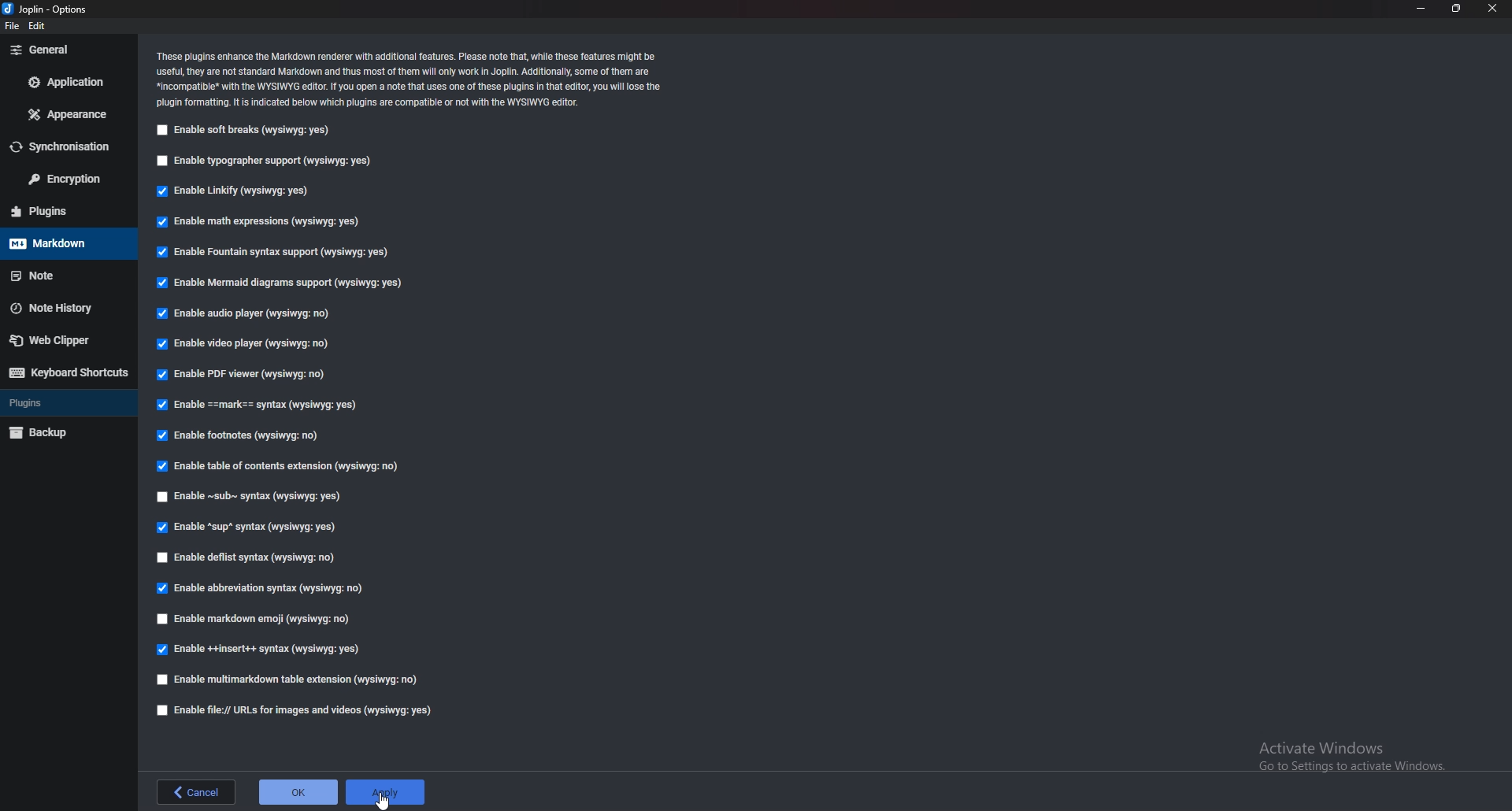  Describe the element at coordinates (61, 243) in the screenshot. I see `markdown` at that location.